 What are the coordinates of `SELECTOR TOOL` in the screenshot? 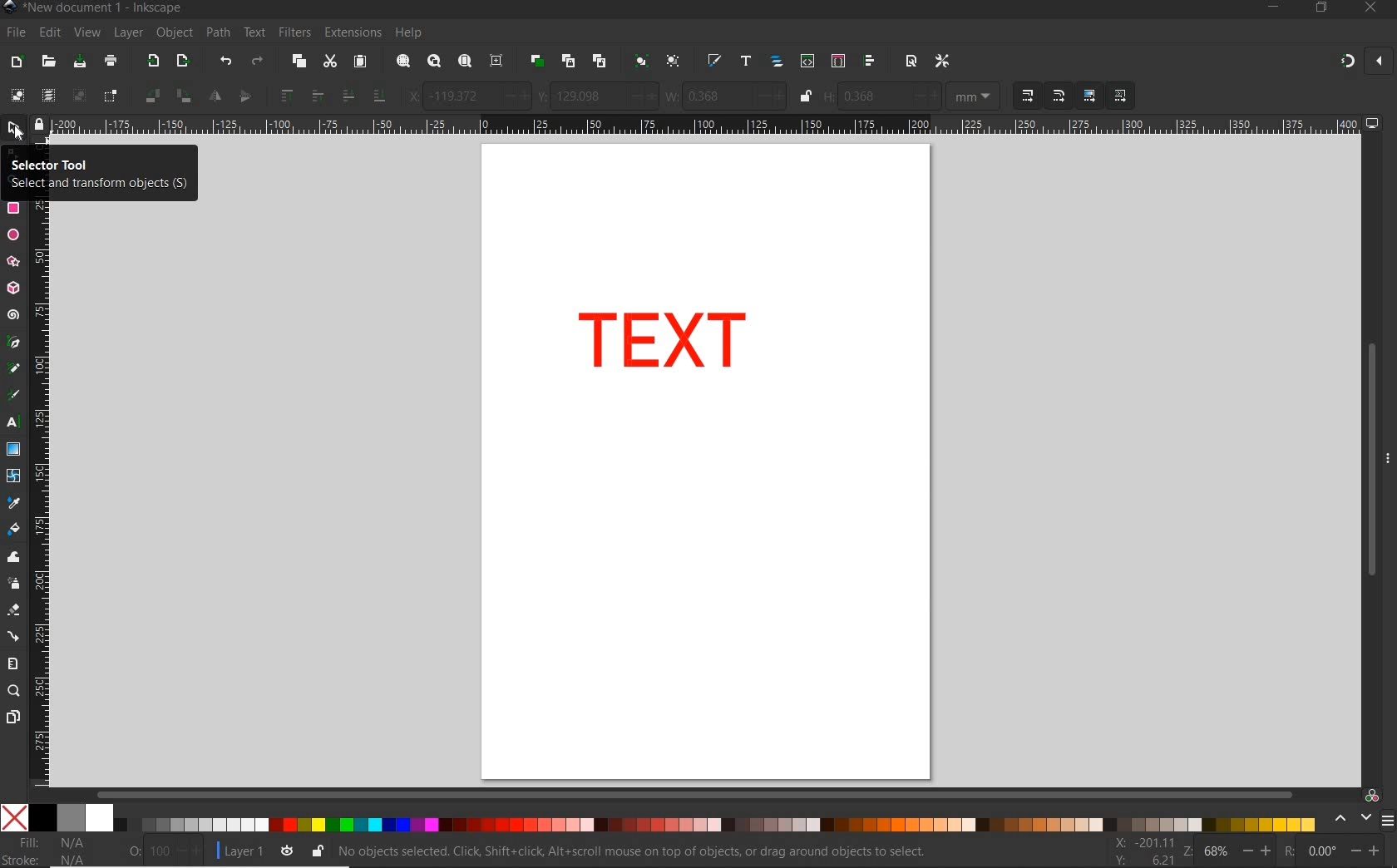 It's located at (99, 174).